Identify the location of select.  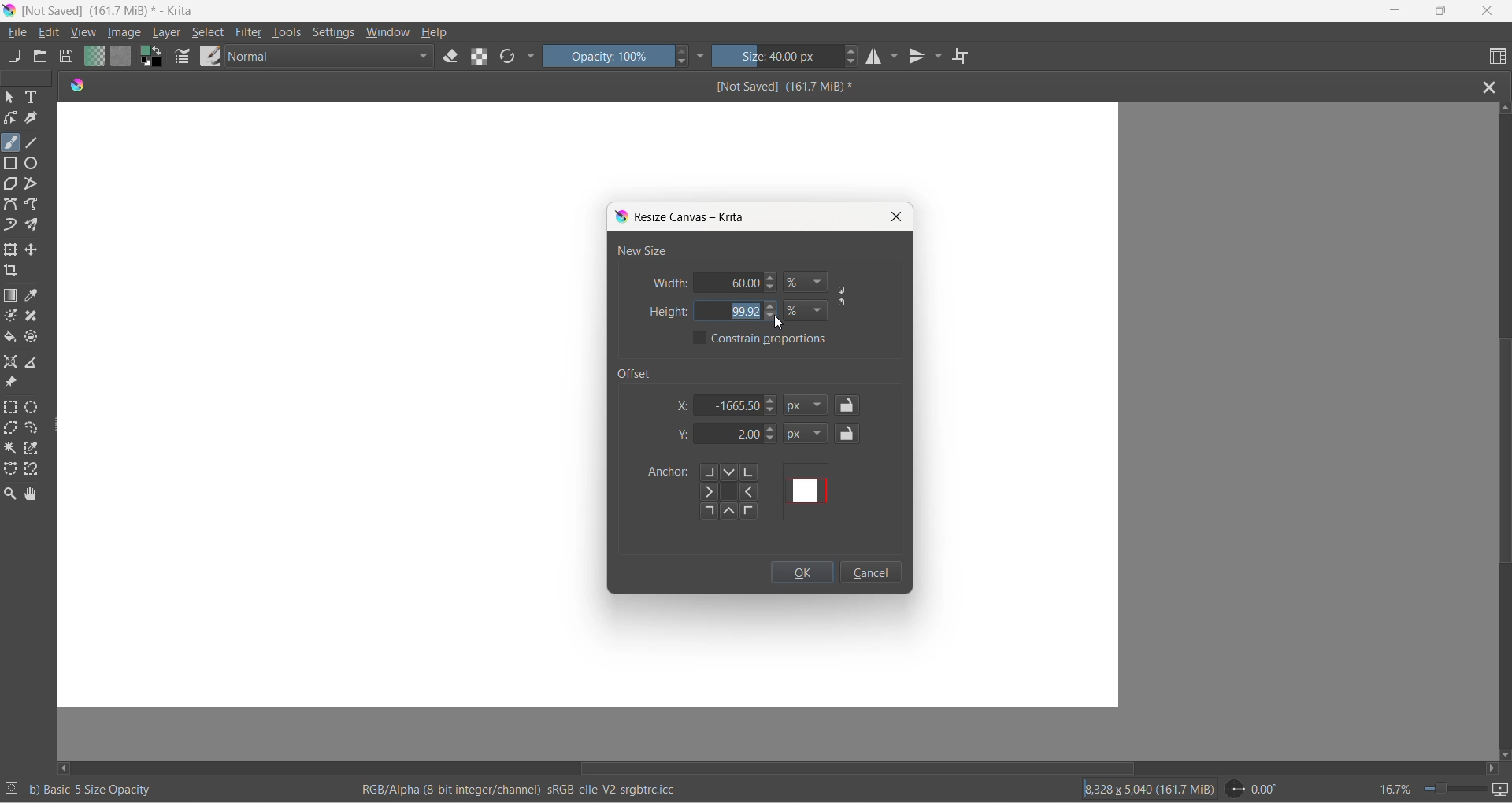
(209, 35).